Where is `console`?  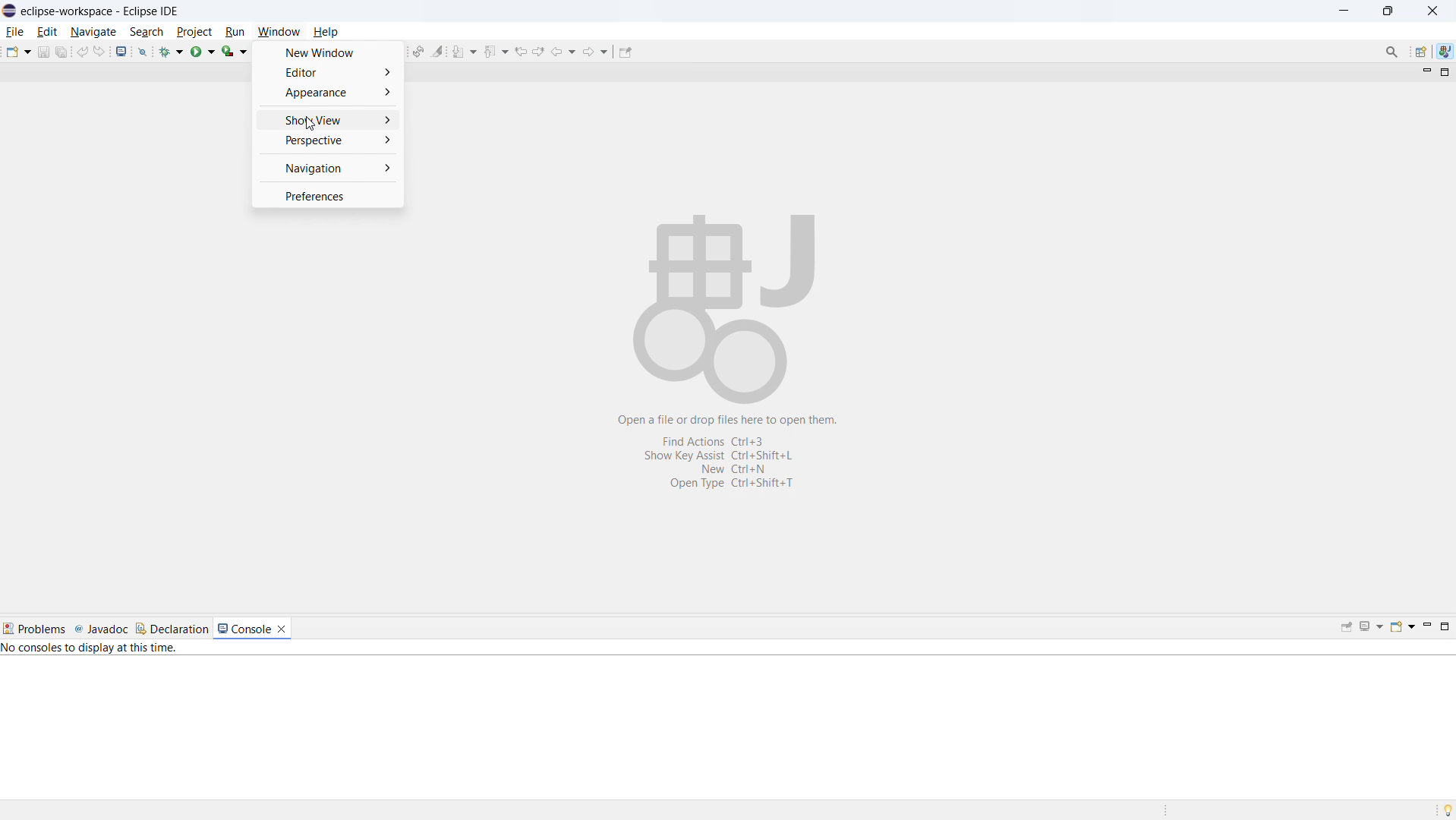
console is located at coordinates (244, 629).